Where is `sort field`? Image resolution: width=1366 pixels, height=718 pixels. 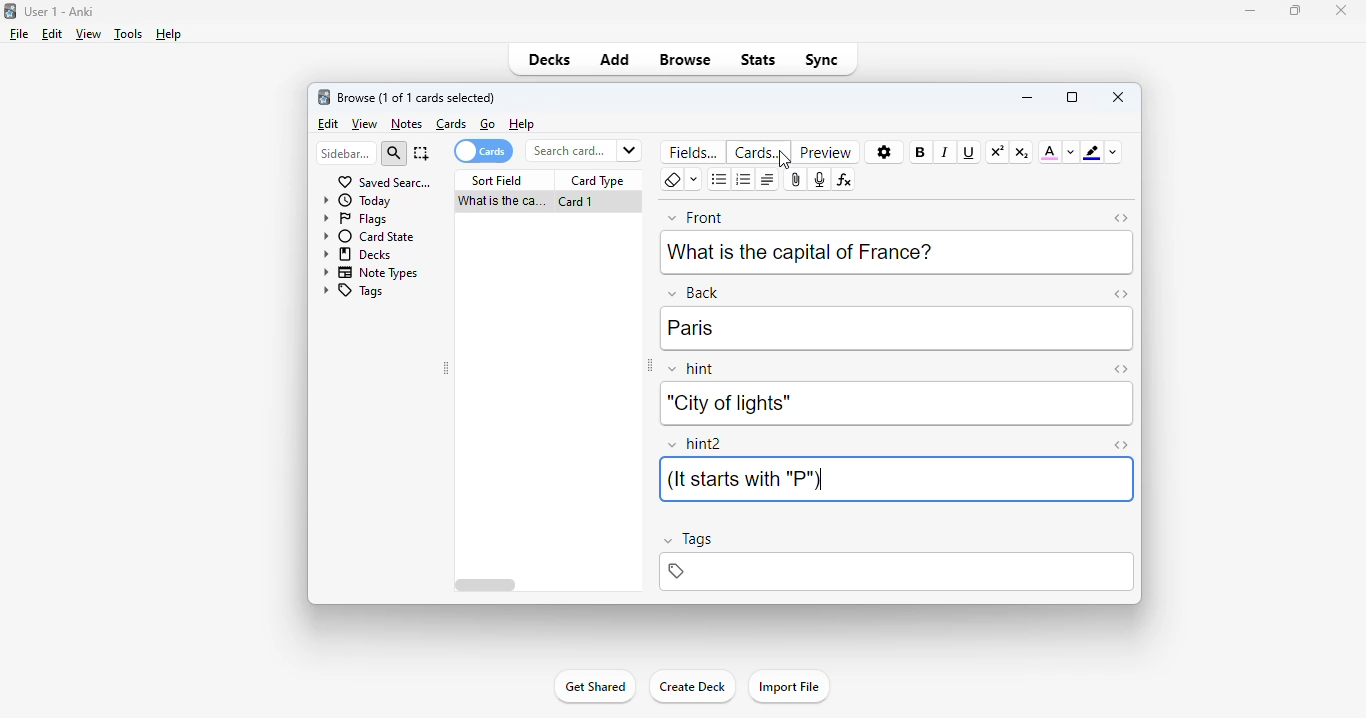 sort field is located at coordinates (497, 181).